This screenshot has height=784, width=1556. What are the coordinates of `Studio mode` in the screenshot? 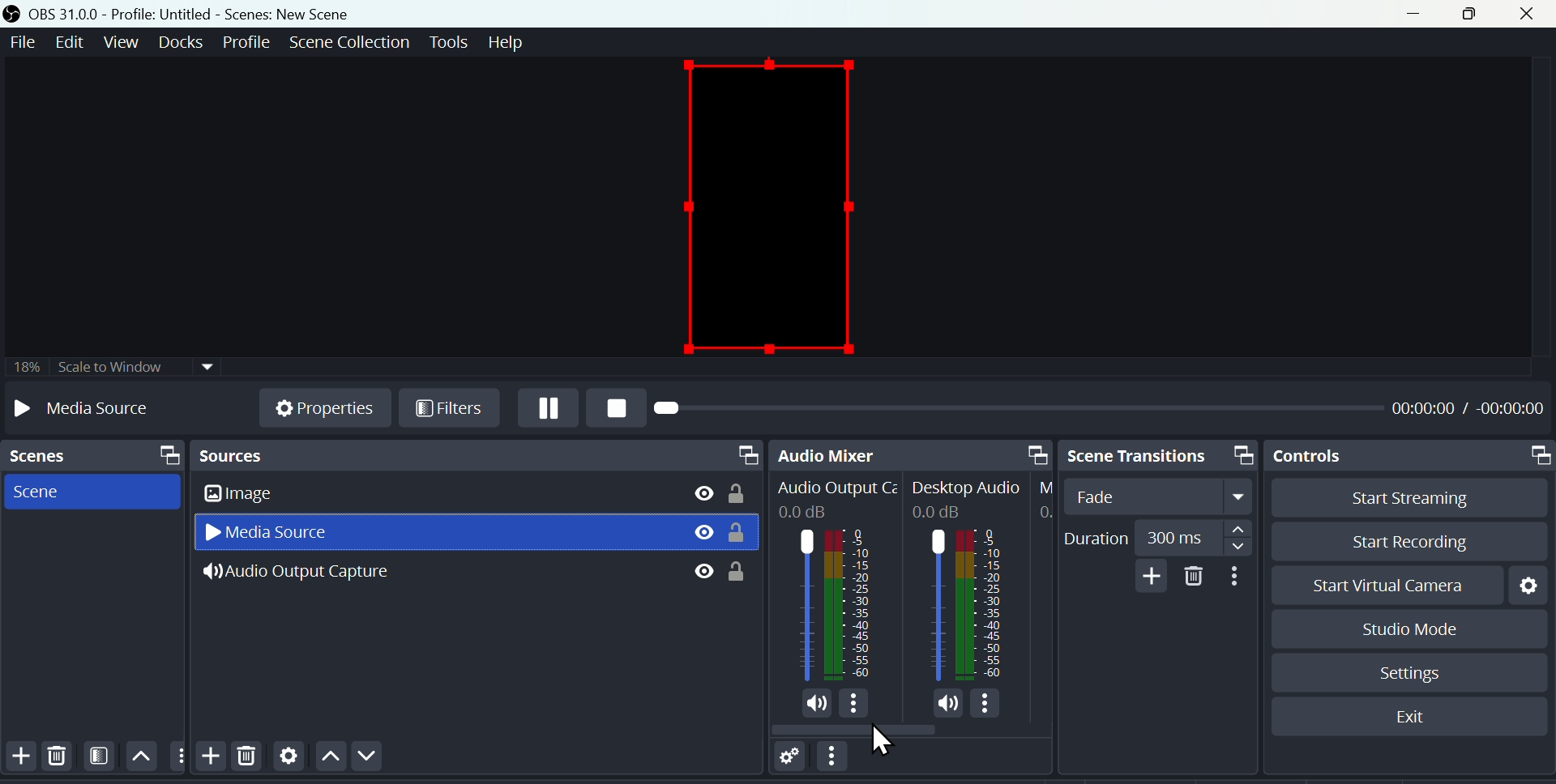 It's located at (1396, 628).